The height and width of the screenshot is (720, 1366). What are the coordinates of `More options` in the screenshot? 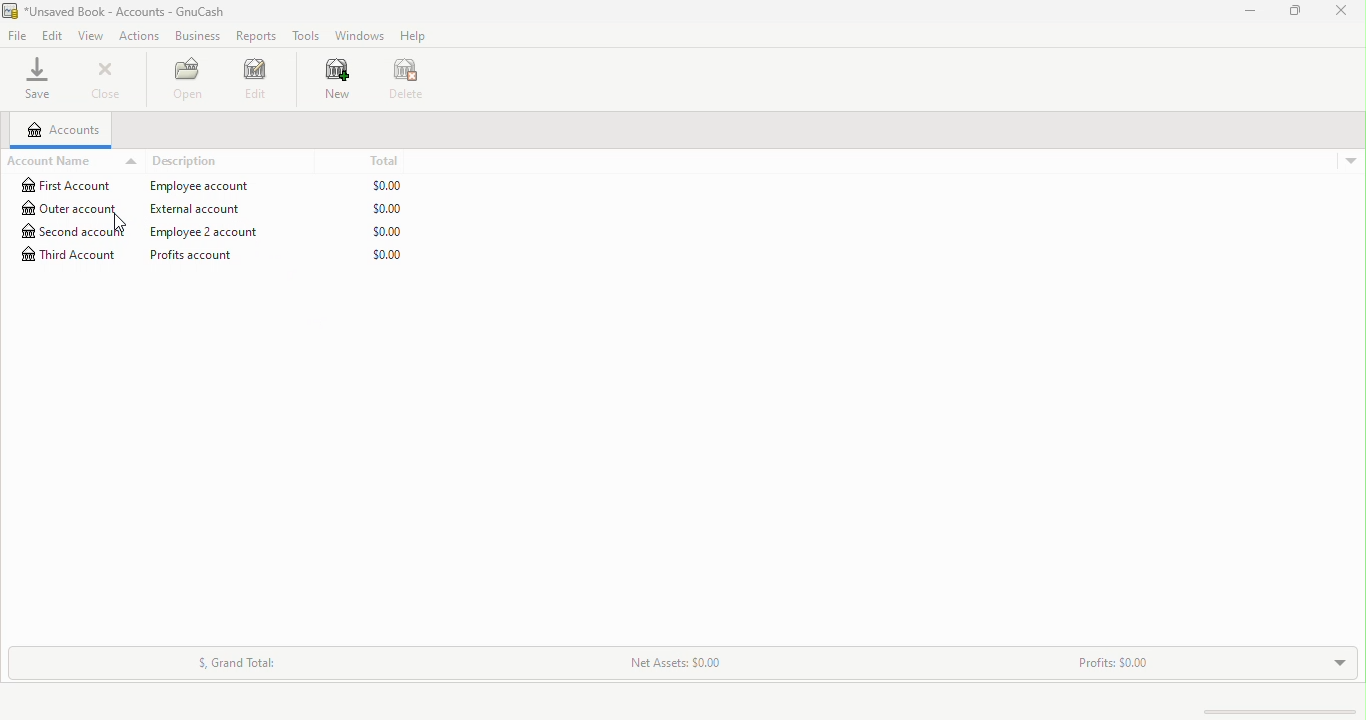 It's located at (1345, 164).